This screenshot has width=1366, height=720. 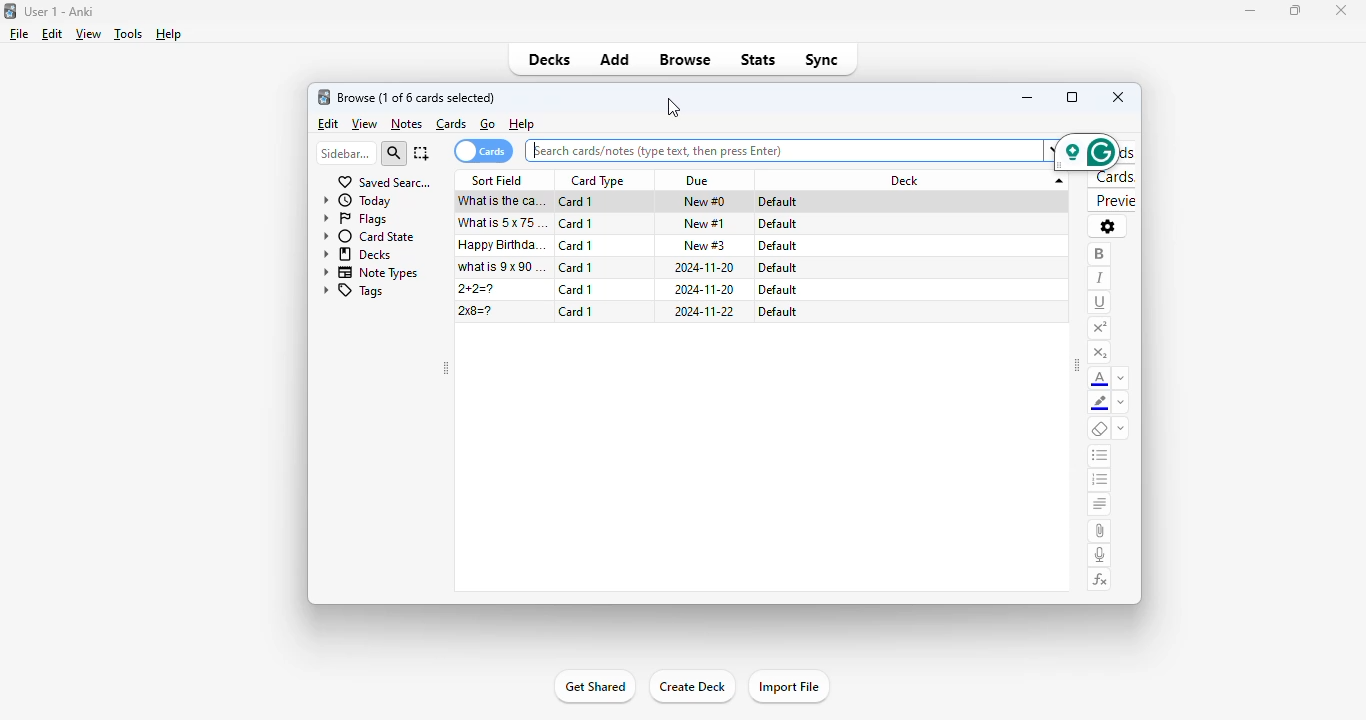 What do you see at coordinates (504, 244) in the screenshot?
I see `happy birthday song!!!.mp3` at bounding box center [504, 244].